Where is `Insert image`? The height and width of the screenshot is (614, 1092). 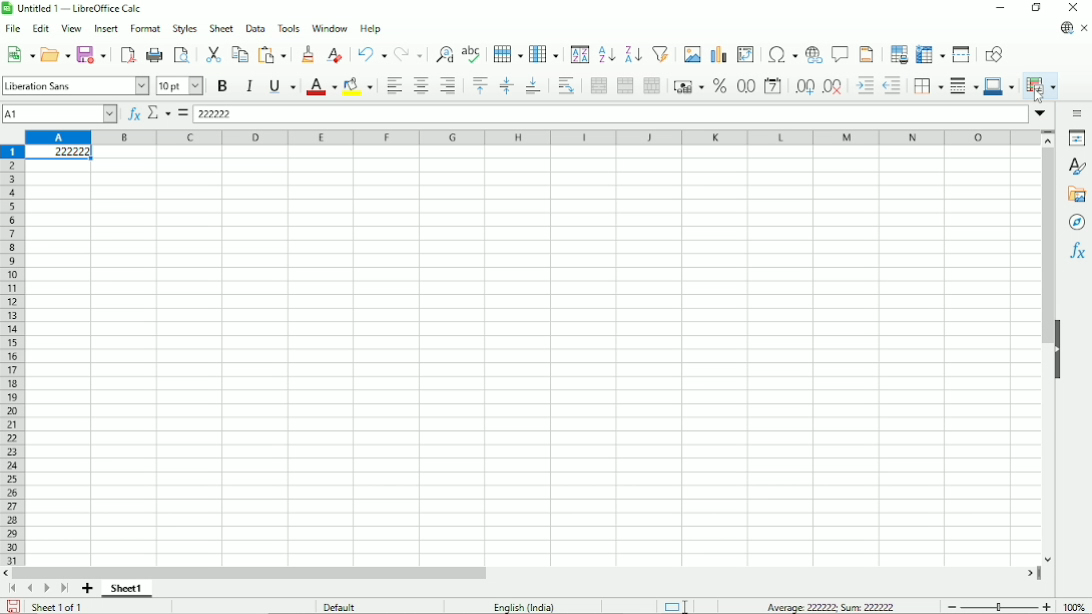
Insert image is located at coordinates (693, 52).